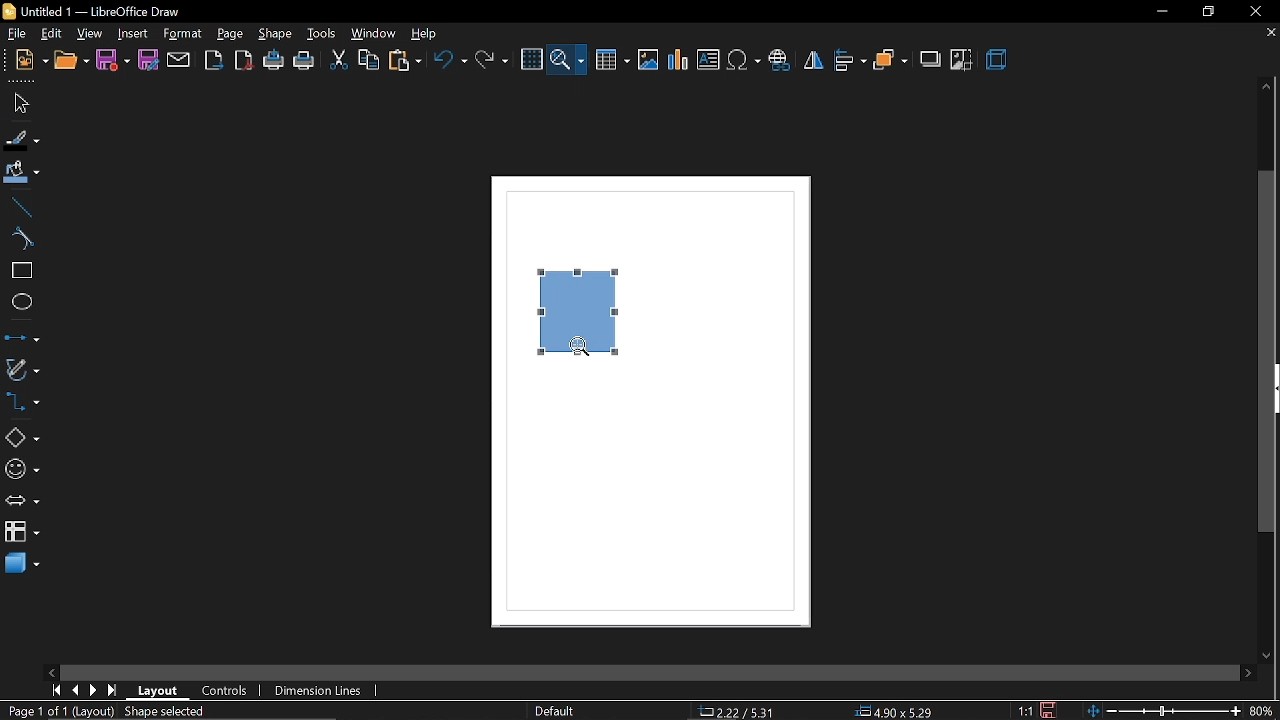 The image size is (1280, 720). What do you see at coordinates (22, 501) in the screenshot?
I see `arrows` at bounding box center [22, 501].